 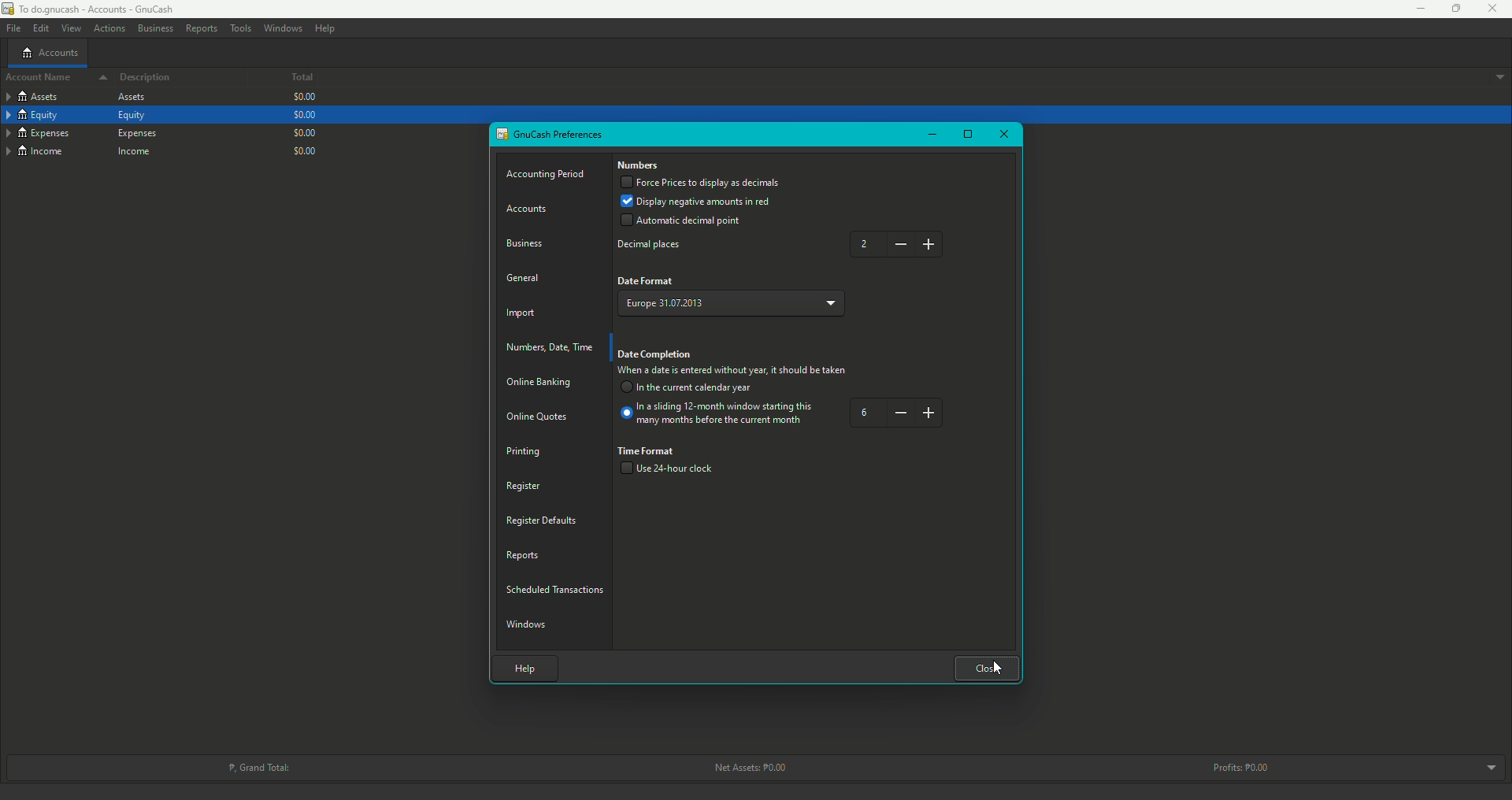 What do you see at coordinates (657, 355) in the screenshot?
I see `Date Completion` at bounding box center [657, 355].